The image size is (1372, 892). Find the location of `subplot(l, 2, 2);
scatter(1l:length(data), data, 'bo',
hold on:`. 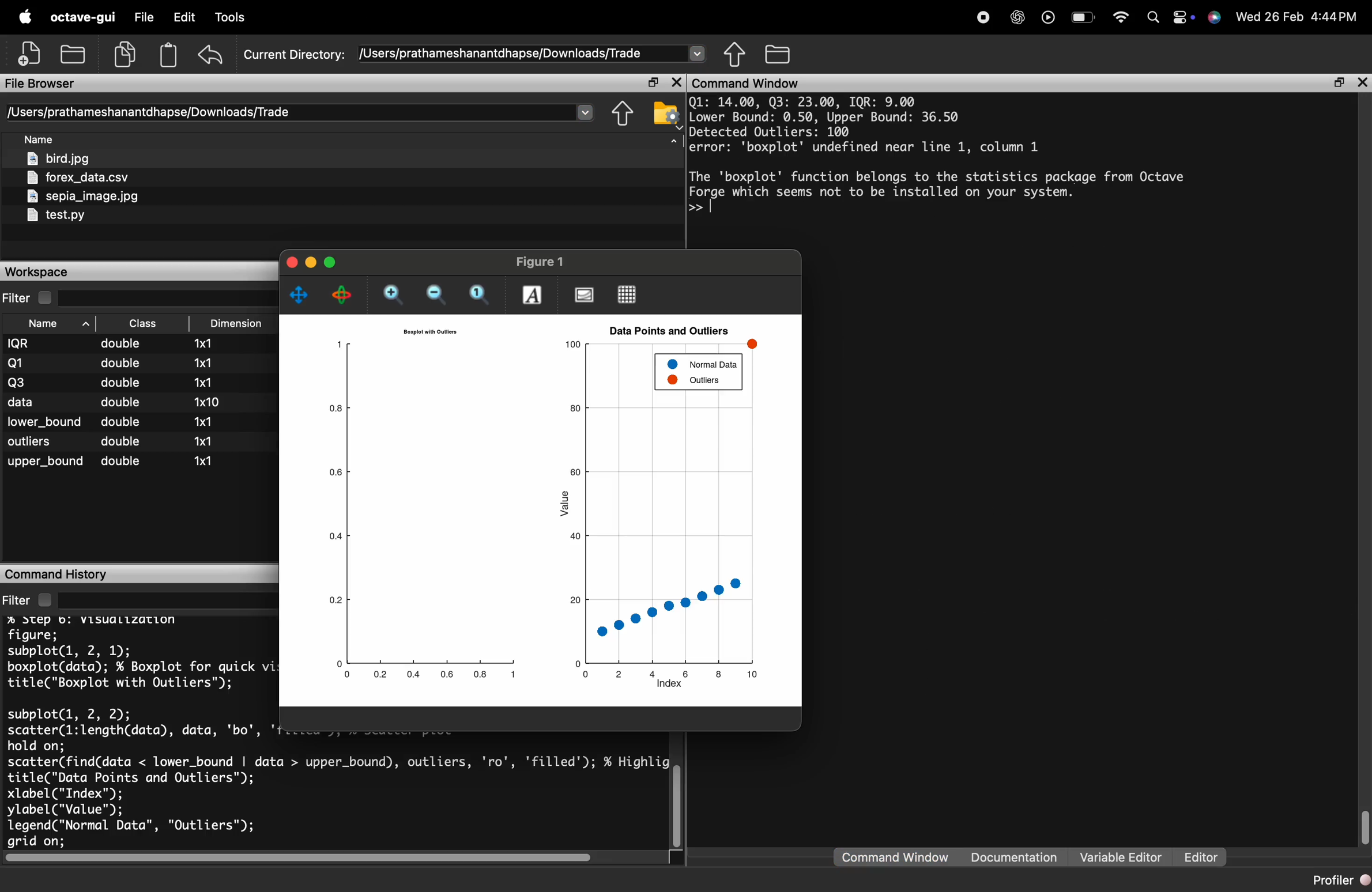

subplot(l, 2, 2);
scatter(1l:length(data), data, 'bo',
hold on: is located at coordinates (133, 727).